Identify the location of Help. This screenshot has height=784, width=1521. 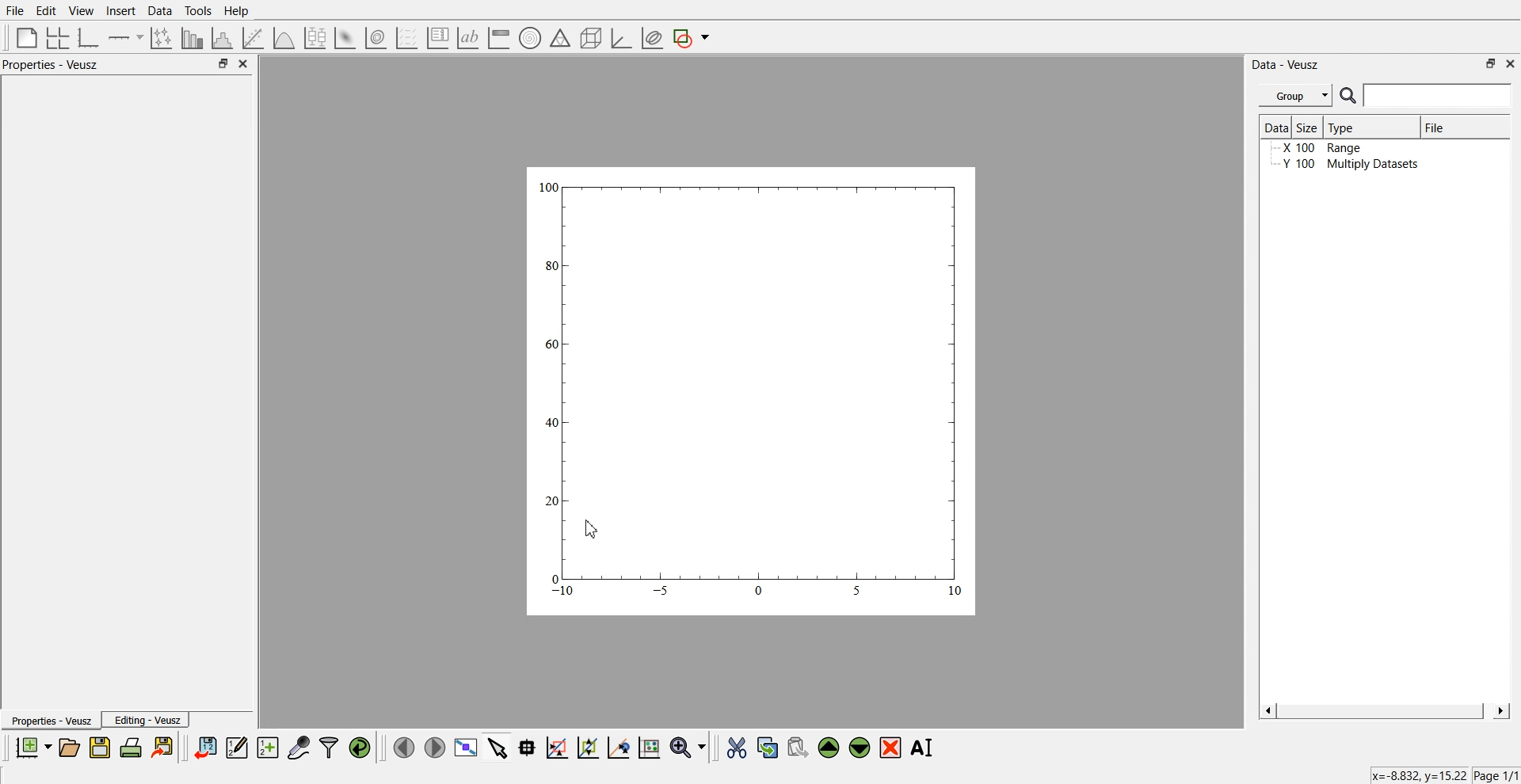
(242, 13).